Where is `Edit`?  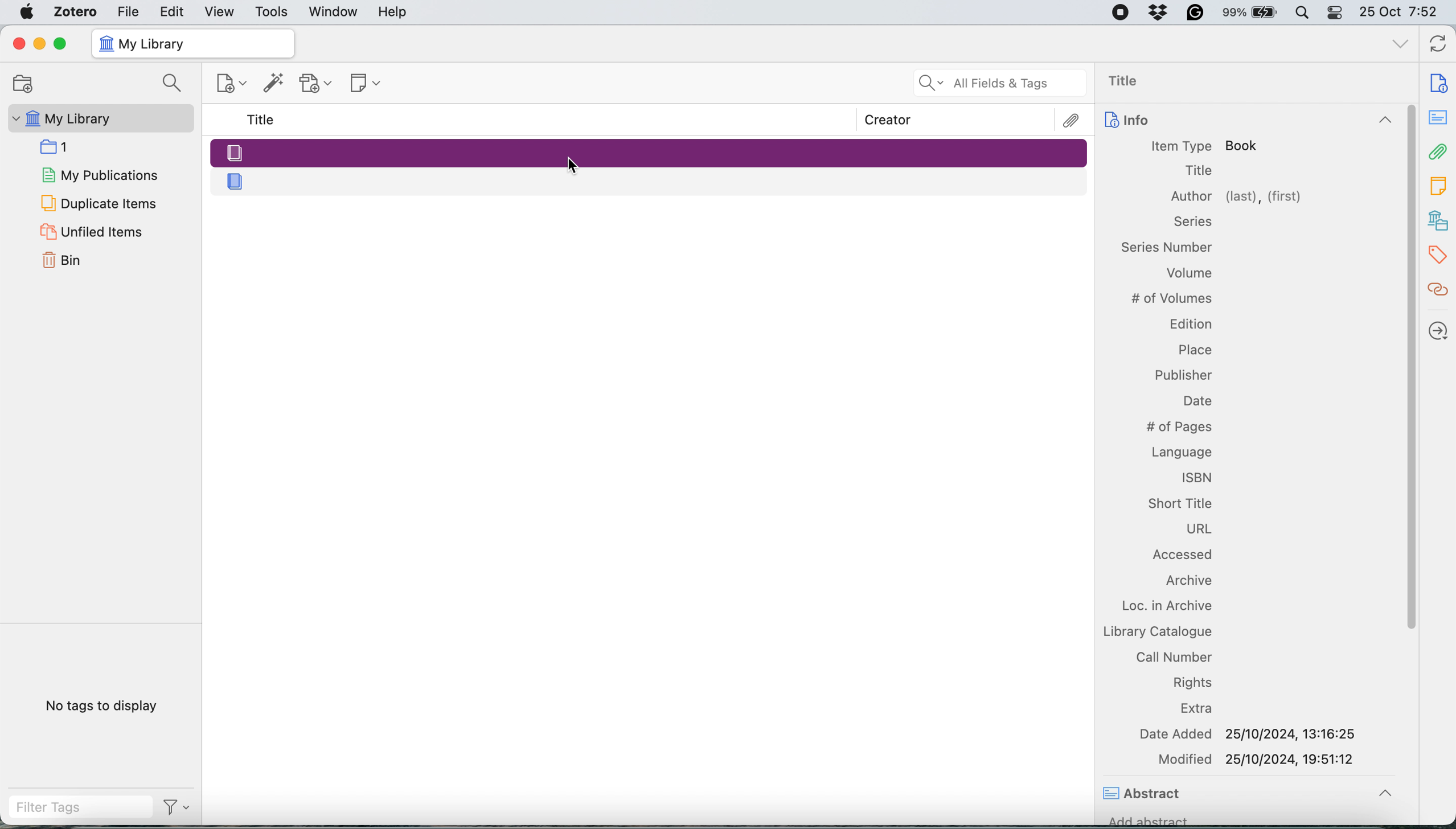
Edit is located at coordinates (173, 11).